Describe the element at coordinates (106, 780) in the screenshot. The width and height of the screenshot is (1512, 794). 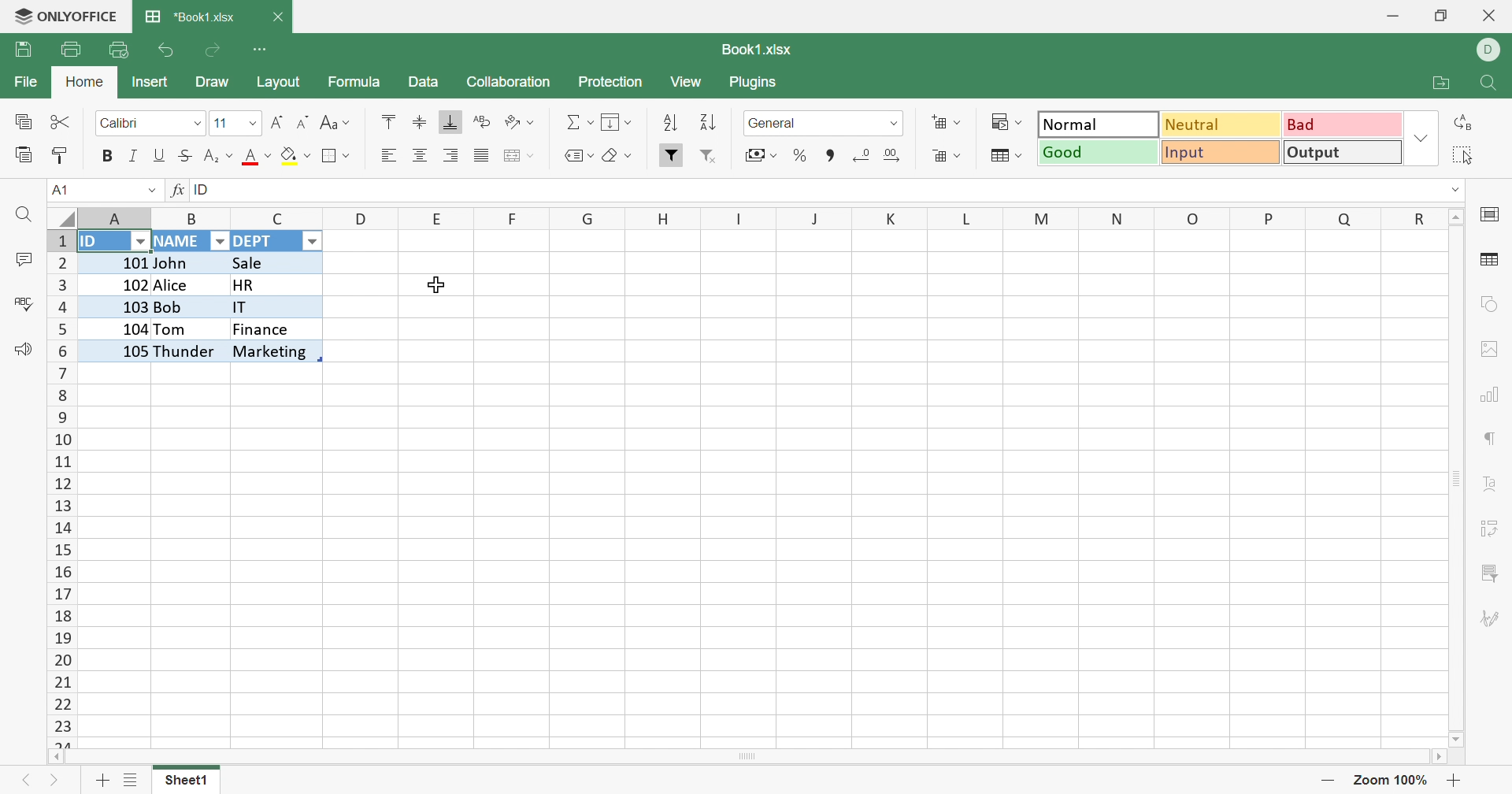
I see `Add sheet` at that location.